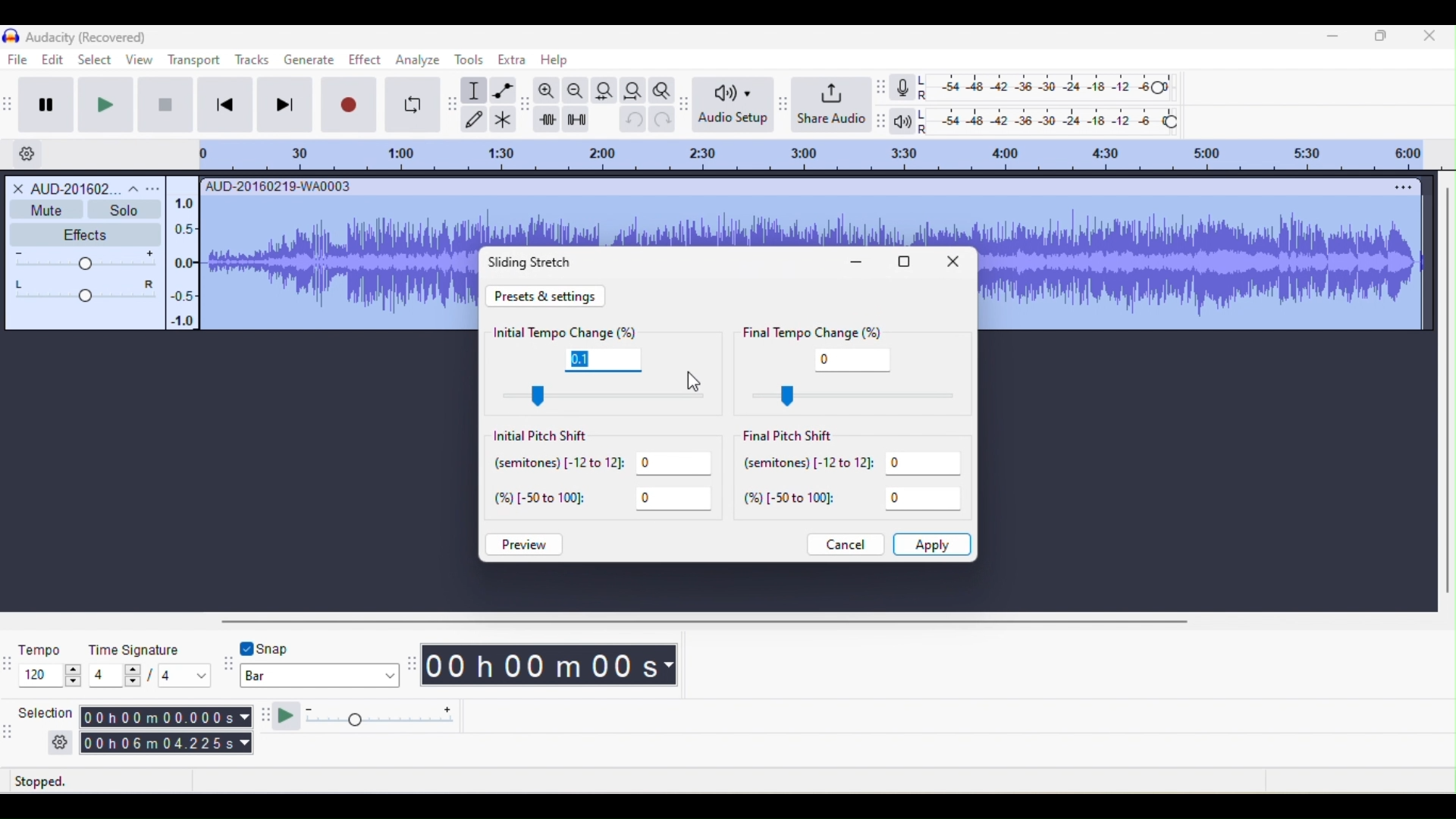 This screenshot has width=1456, height=819. Describe the element at coordinates (781, 104) in the screenshot. I see `audacity share audio` at that location.